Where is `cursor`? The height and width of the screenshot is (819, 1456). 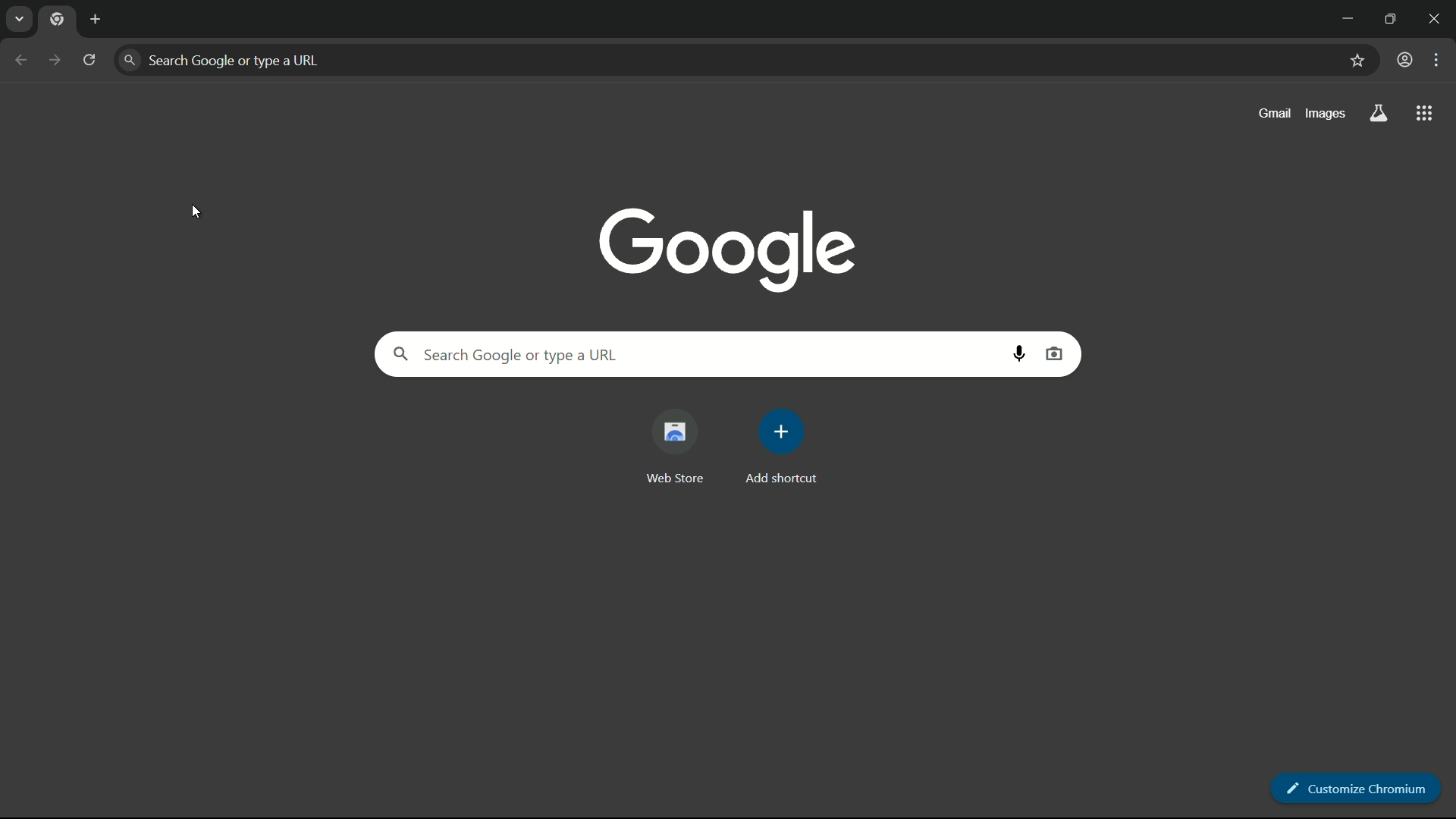 cursor is located at coordinates (196, 212).